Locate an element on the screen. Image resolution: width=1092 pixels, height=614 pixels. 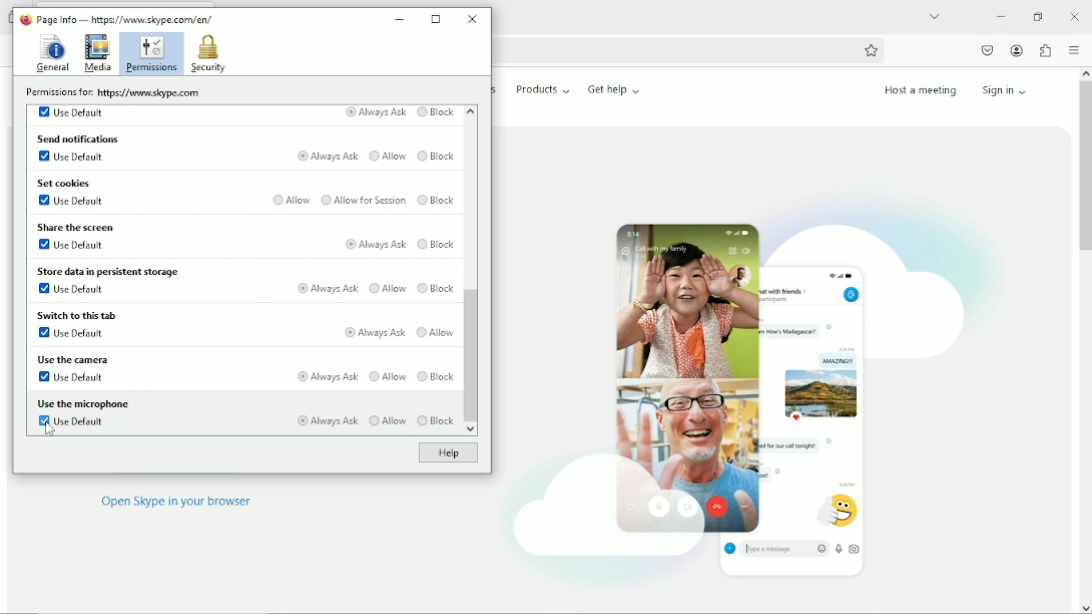
Use default is located at coordinates (70, 290).